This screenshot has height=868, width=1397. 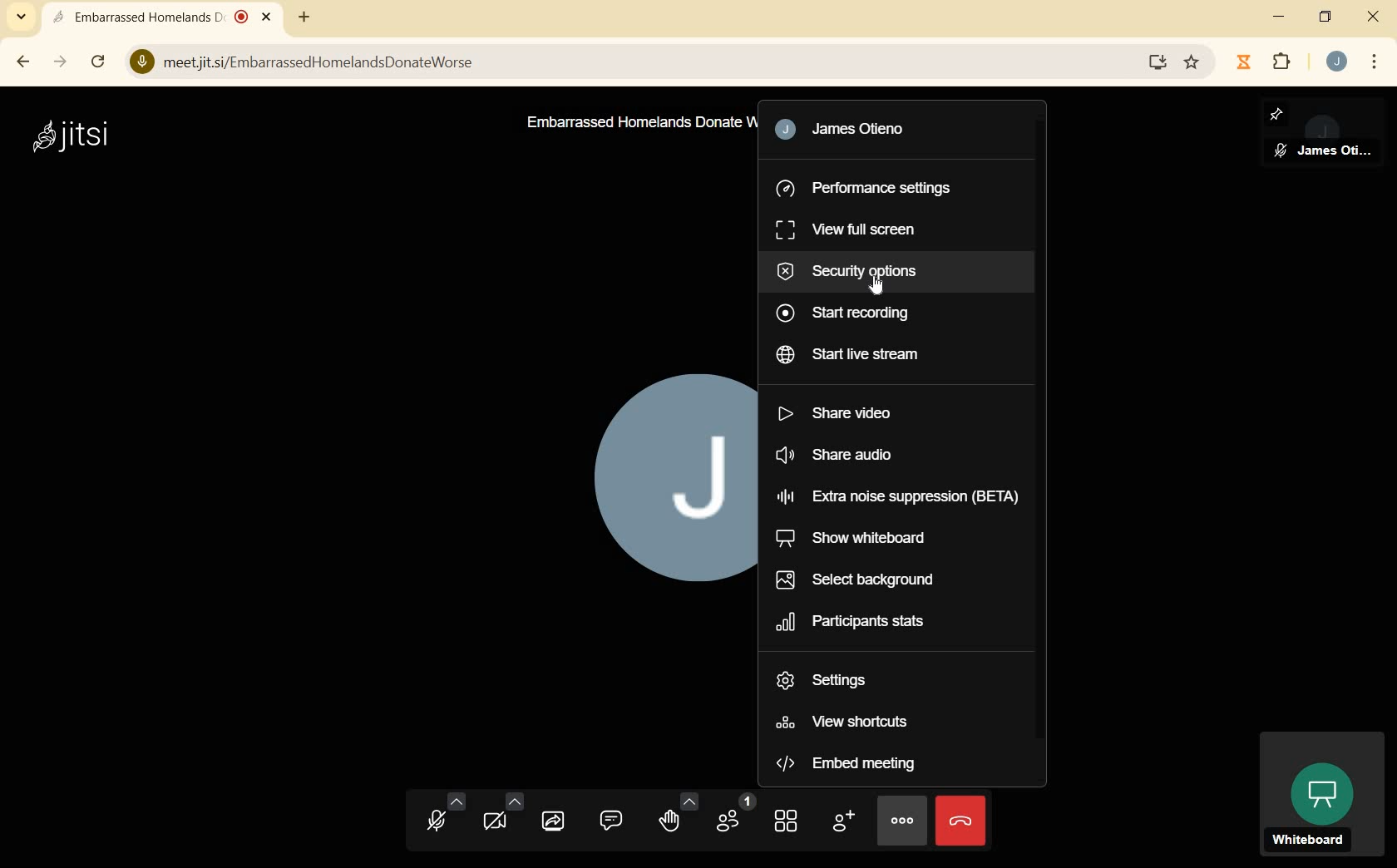 What do you see at coordinates (1192, 64) in the screenshot?
I see `bookmark` at bounding box center [1192, 64].